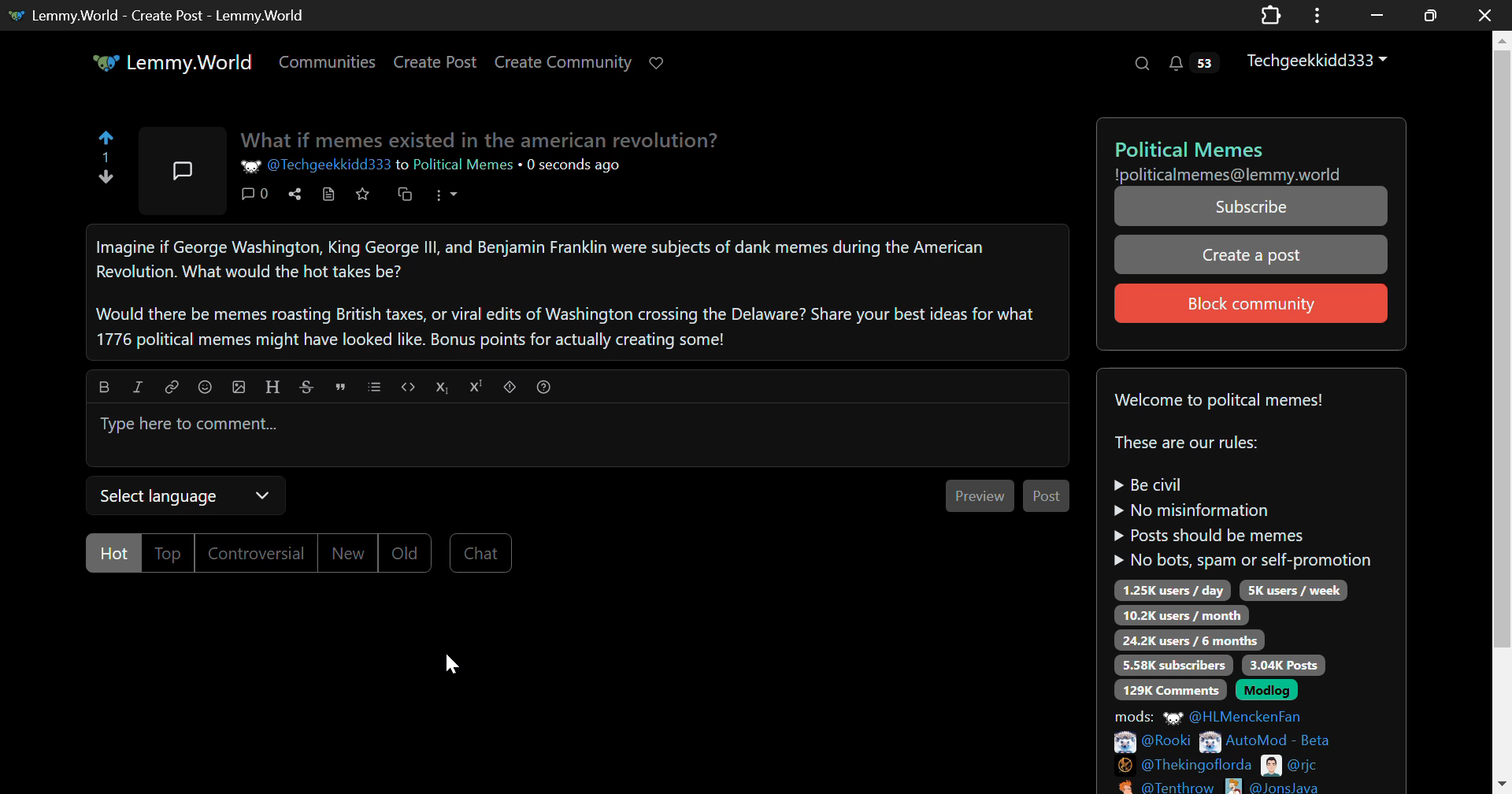  What do you see at coordinates (102, 156) in the screenshot?
I see `Post Votes Counter` at bounding box center [102, 156].